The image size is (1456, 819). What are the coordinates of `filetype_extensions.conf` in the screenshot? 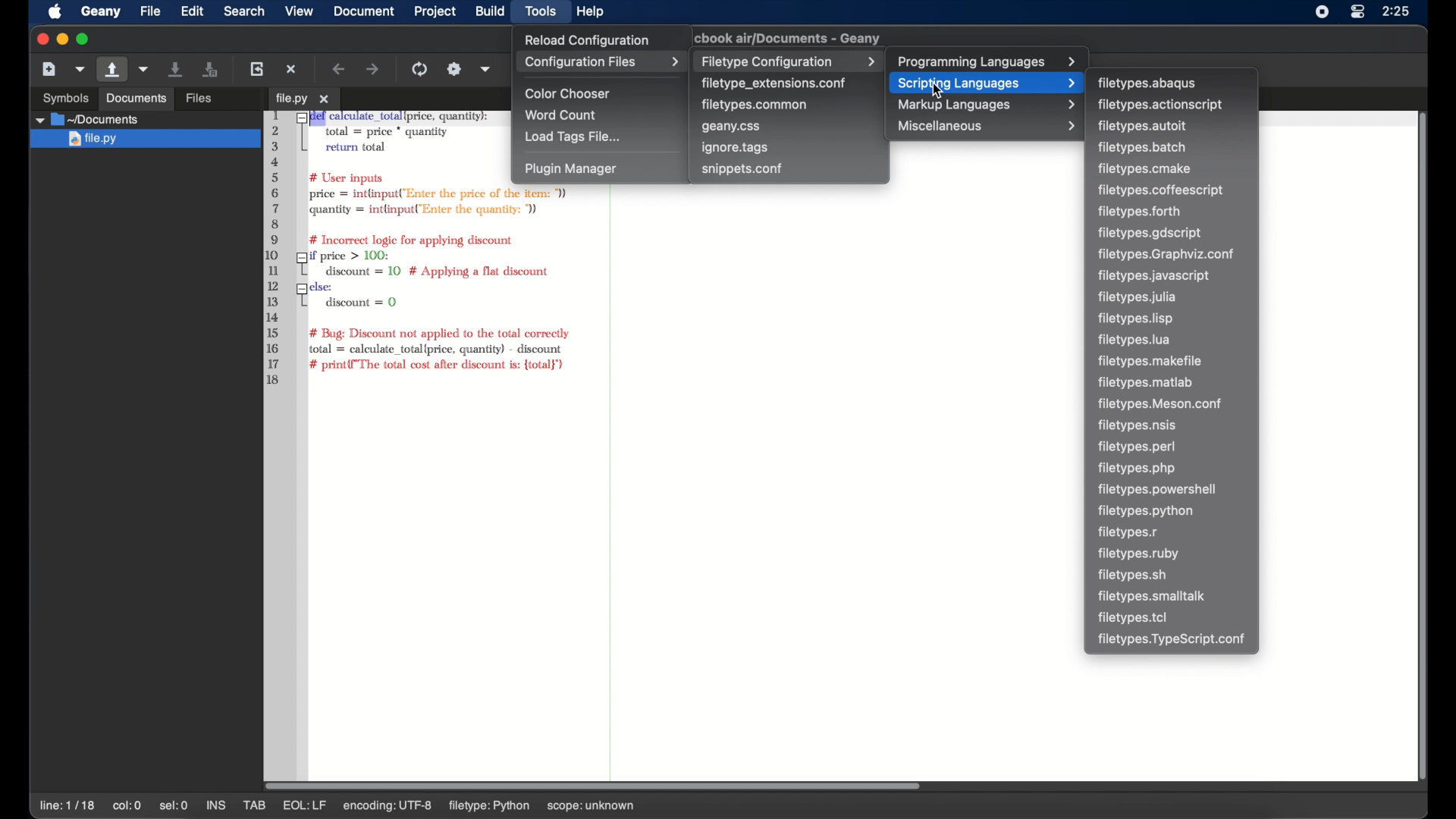 It's located at (773, 83).